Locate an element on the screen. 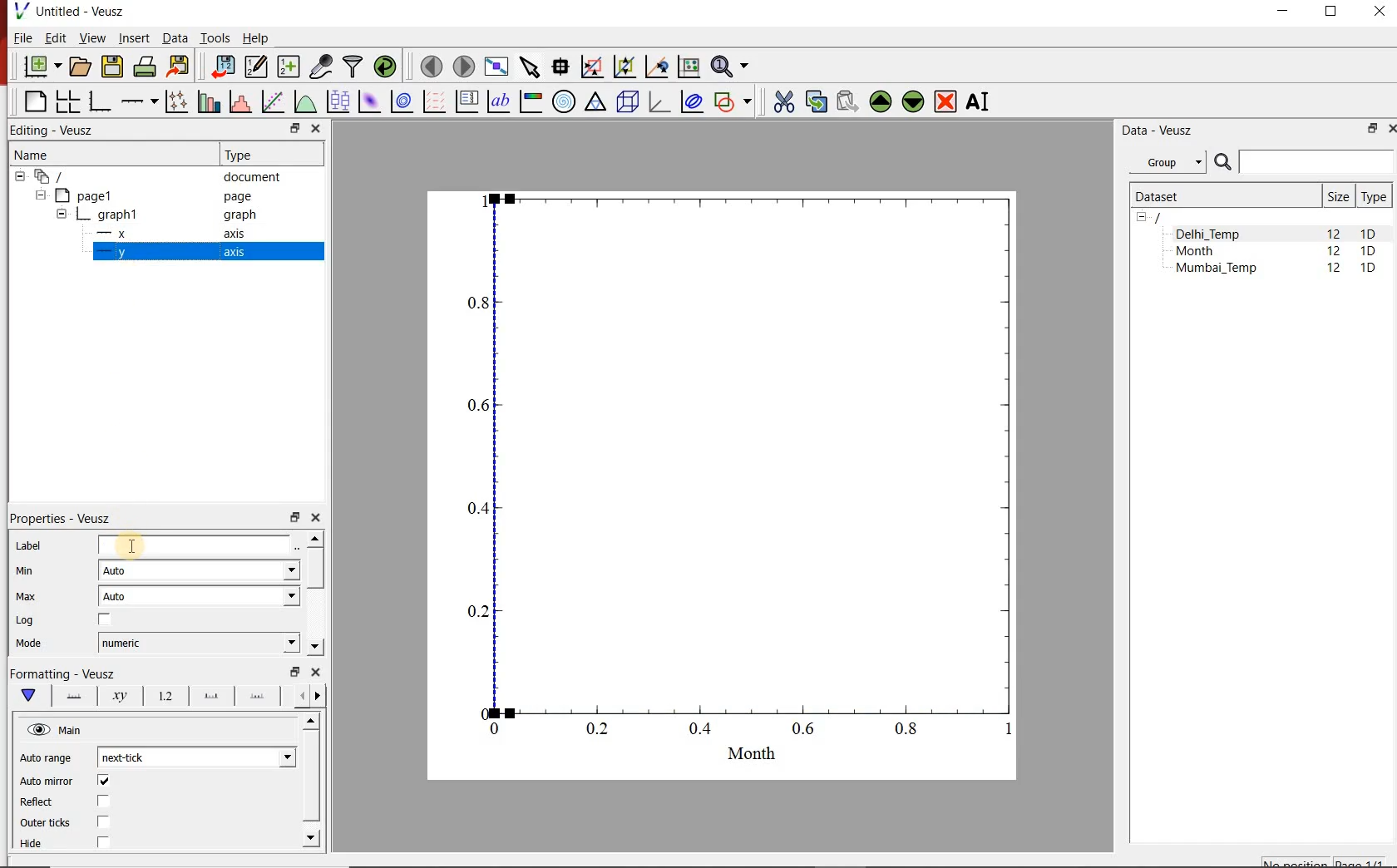 The image size is (1397, 868). click to reset graph axes is located at coordinates (689, 67).